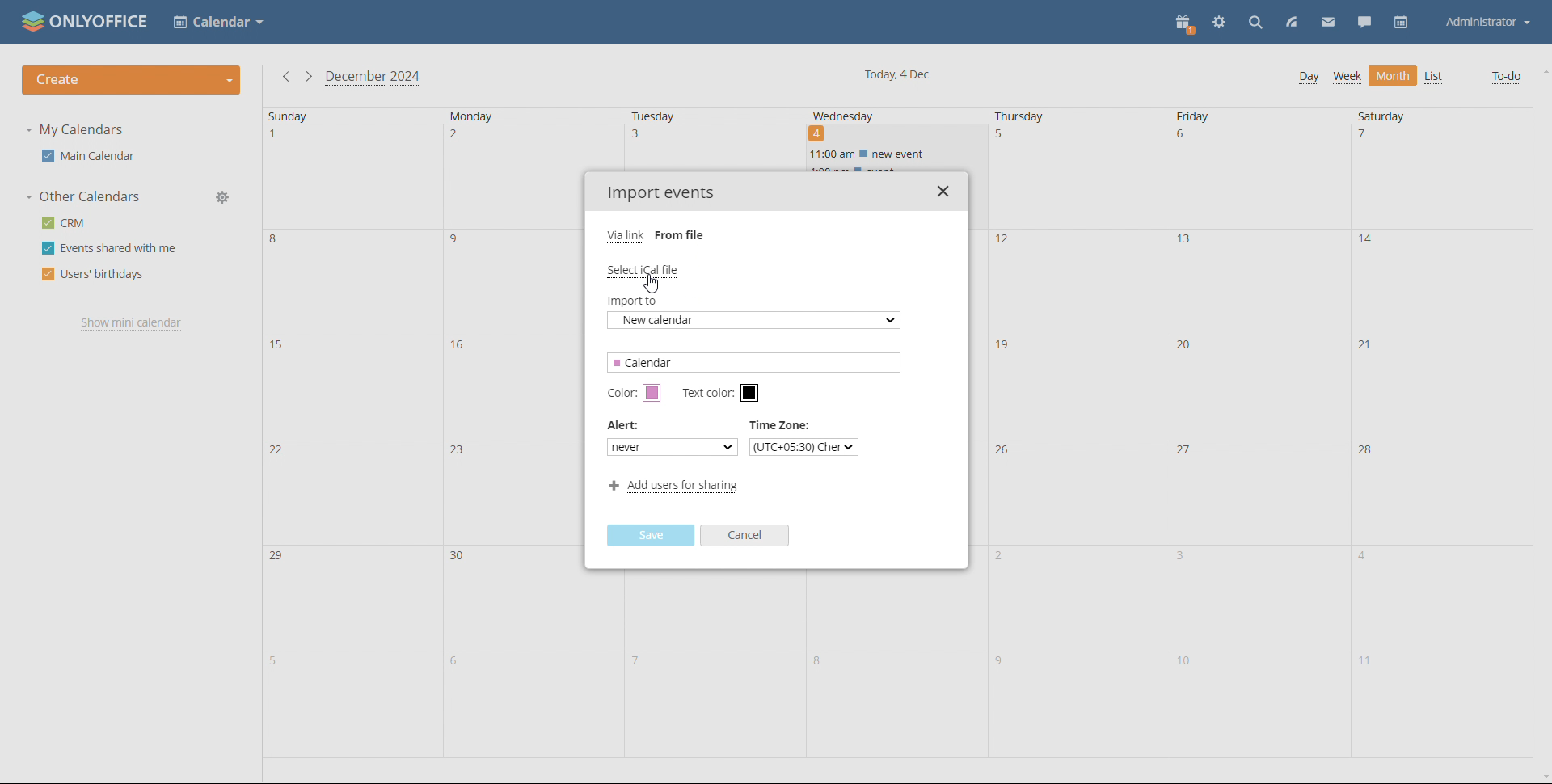 This screenshot has width=1552, height=784. What do you see at coordinates (668, 445) in the screenshot?
I see `alert type` at bounding box center [668, 445].